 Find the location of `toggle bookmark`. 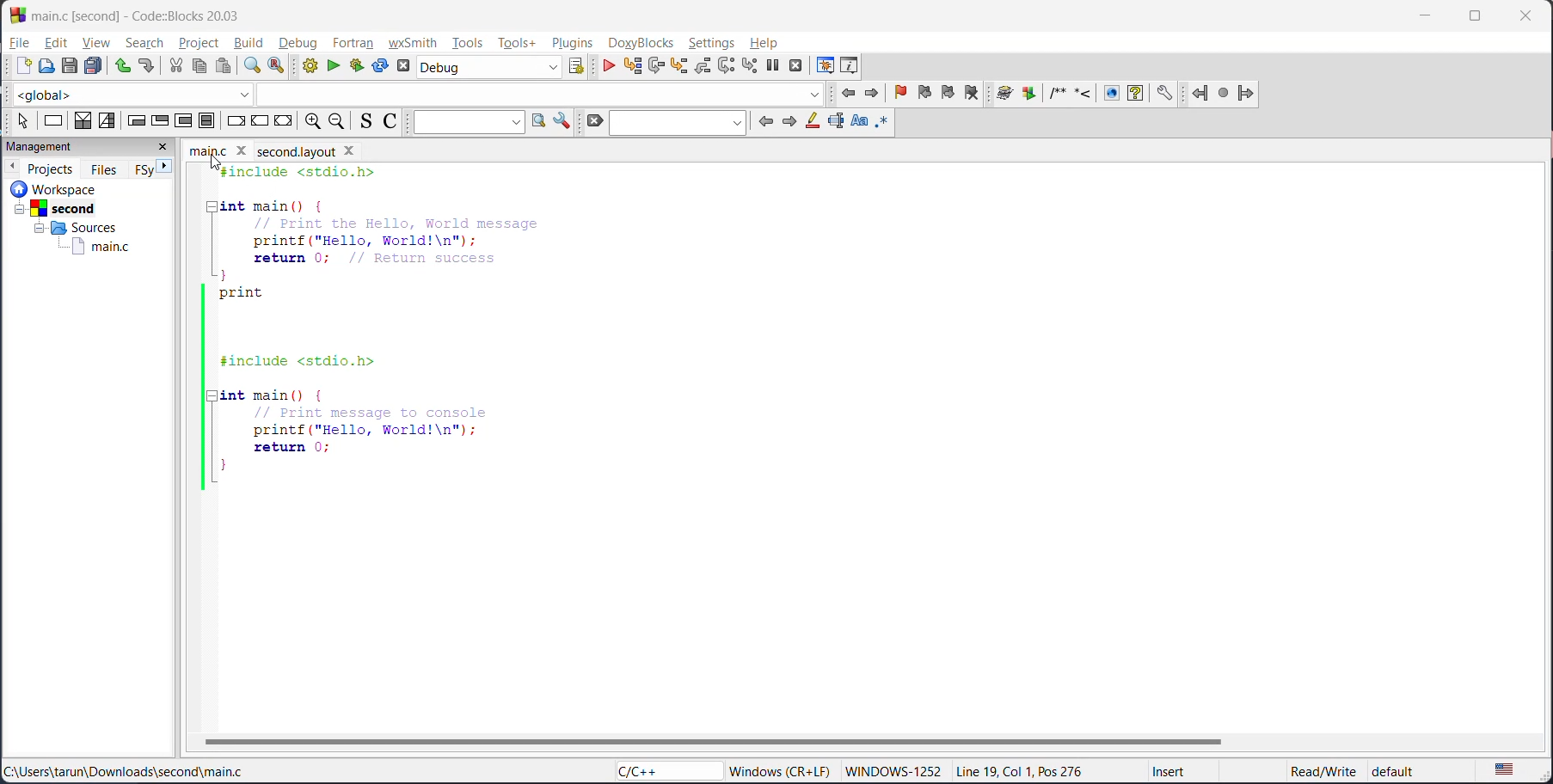

toggle bookmark is located at coordinates (903, 93).